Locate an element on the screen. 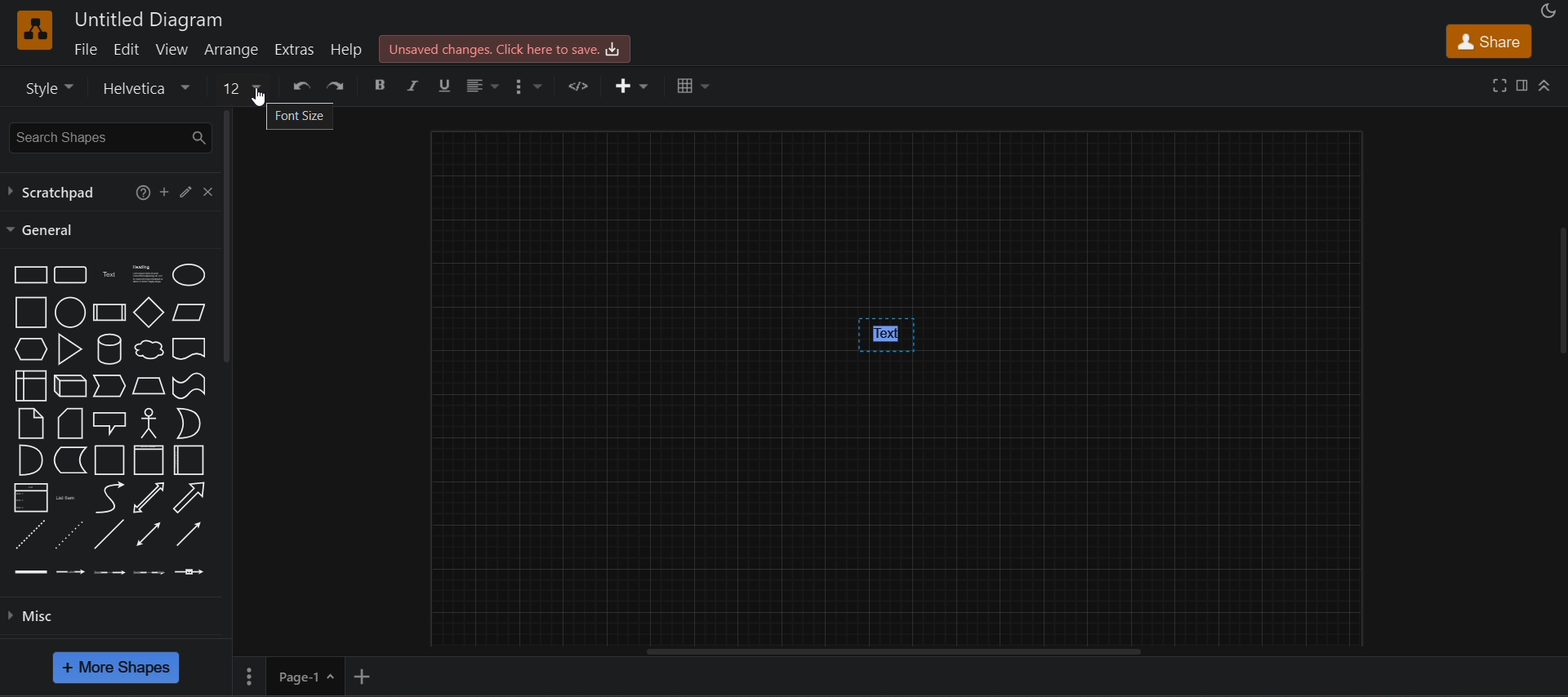  Arrow is located at coordinates (189, 498).